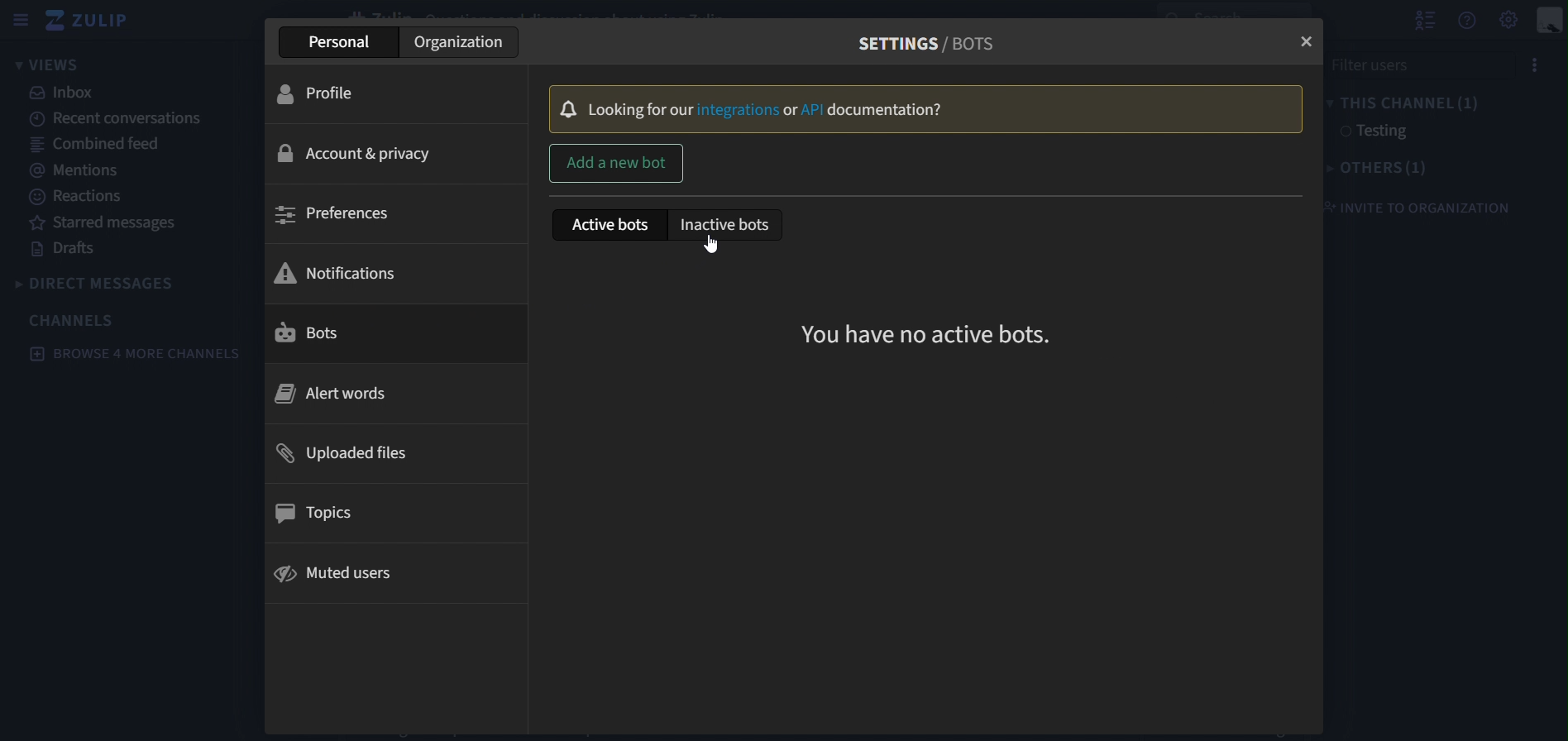 This screenshot has height=741, width=1568. What do you see at coordinates (1402, 101) in the screenshot?
I see `this channel(1)` at bounding box center [1402, 101].